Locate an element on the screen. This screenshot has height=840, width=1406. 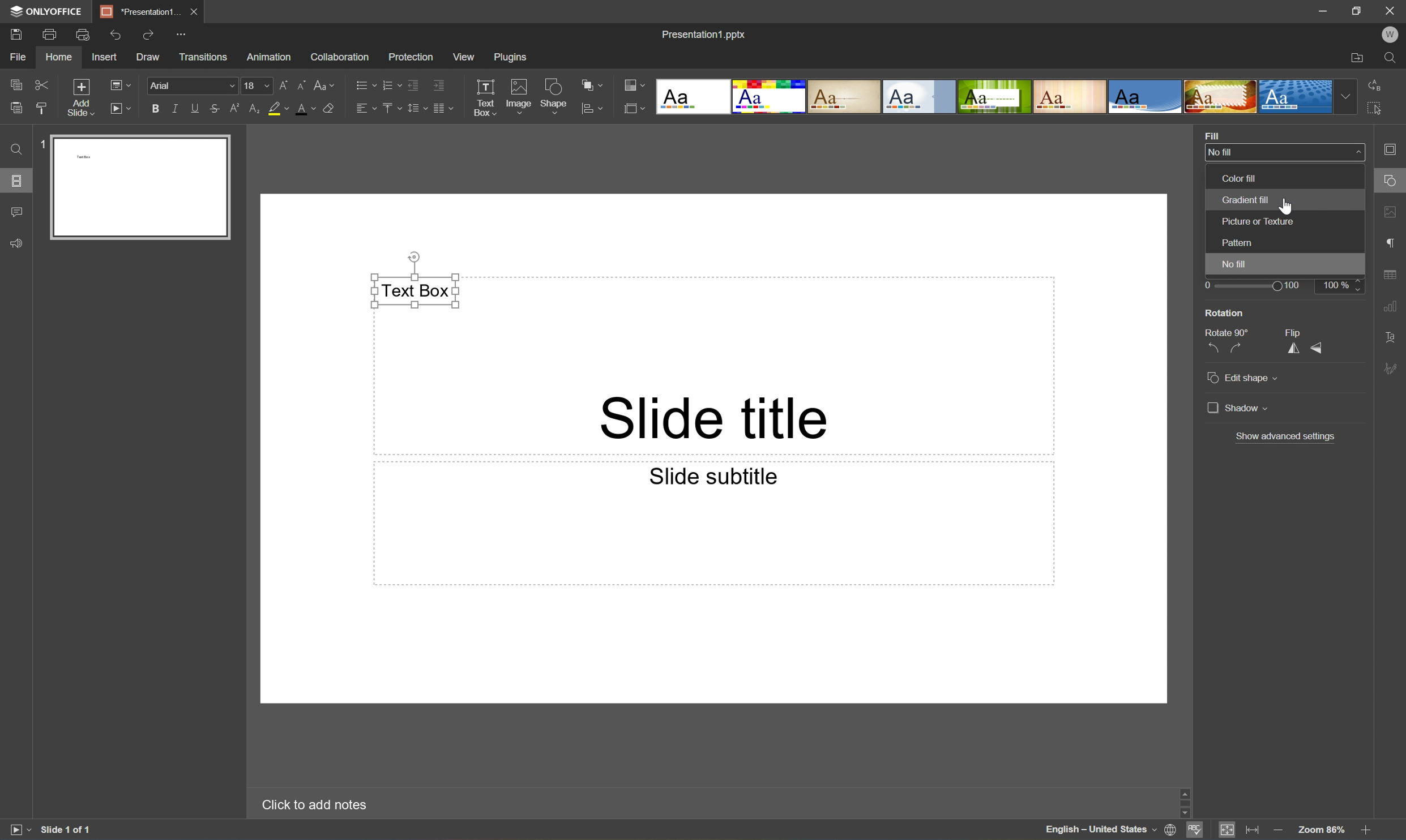
Chart settings is located at coordinates (1395, 310).